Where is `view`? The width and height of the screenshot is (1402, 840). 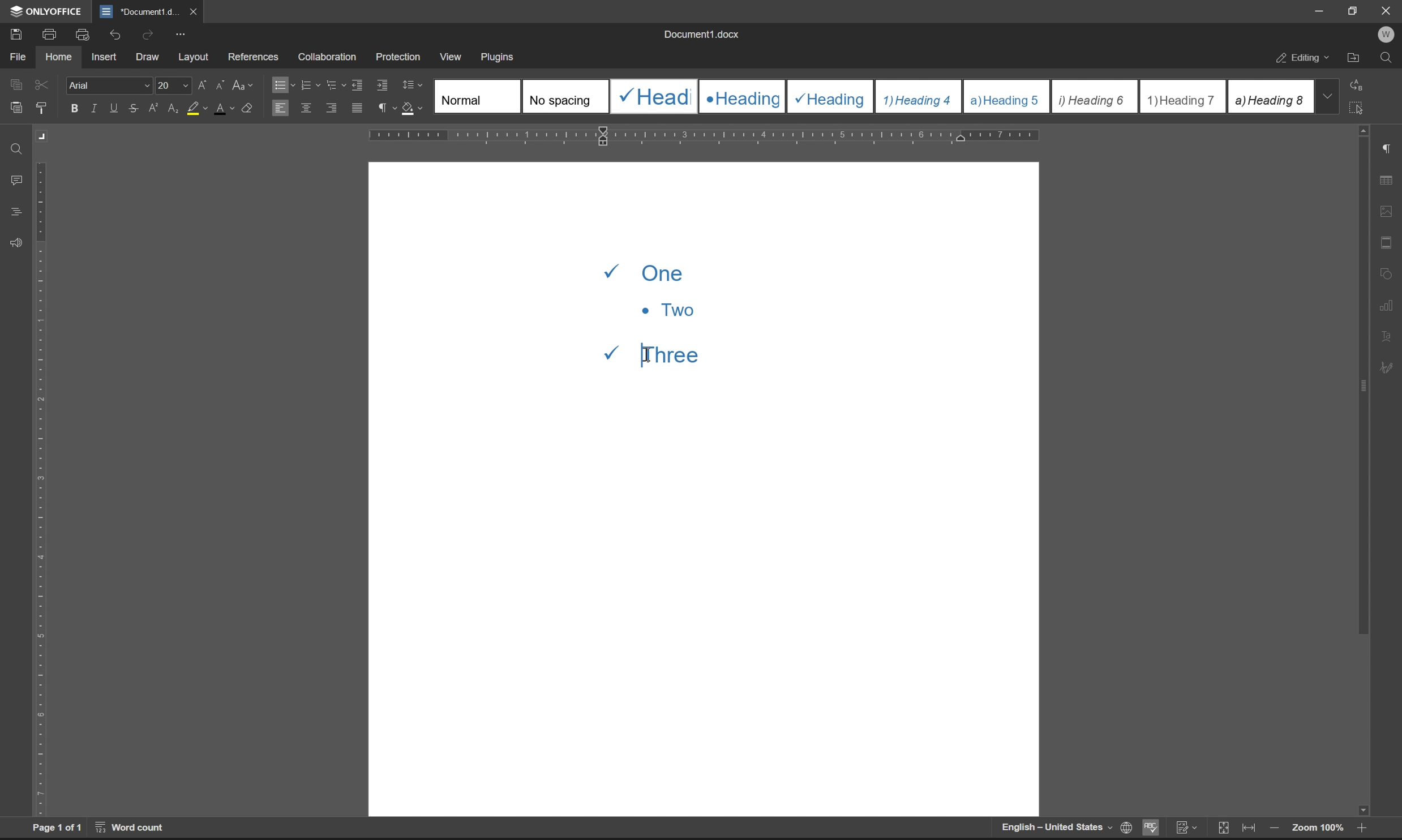 view is located at coordinates (449, 54).